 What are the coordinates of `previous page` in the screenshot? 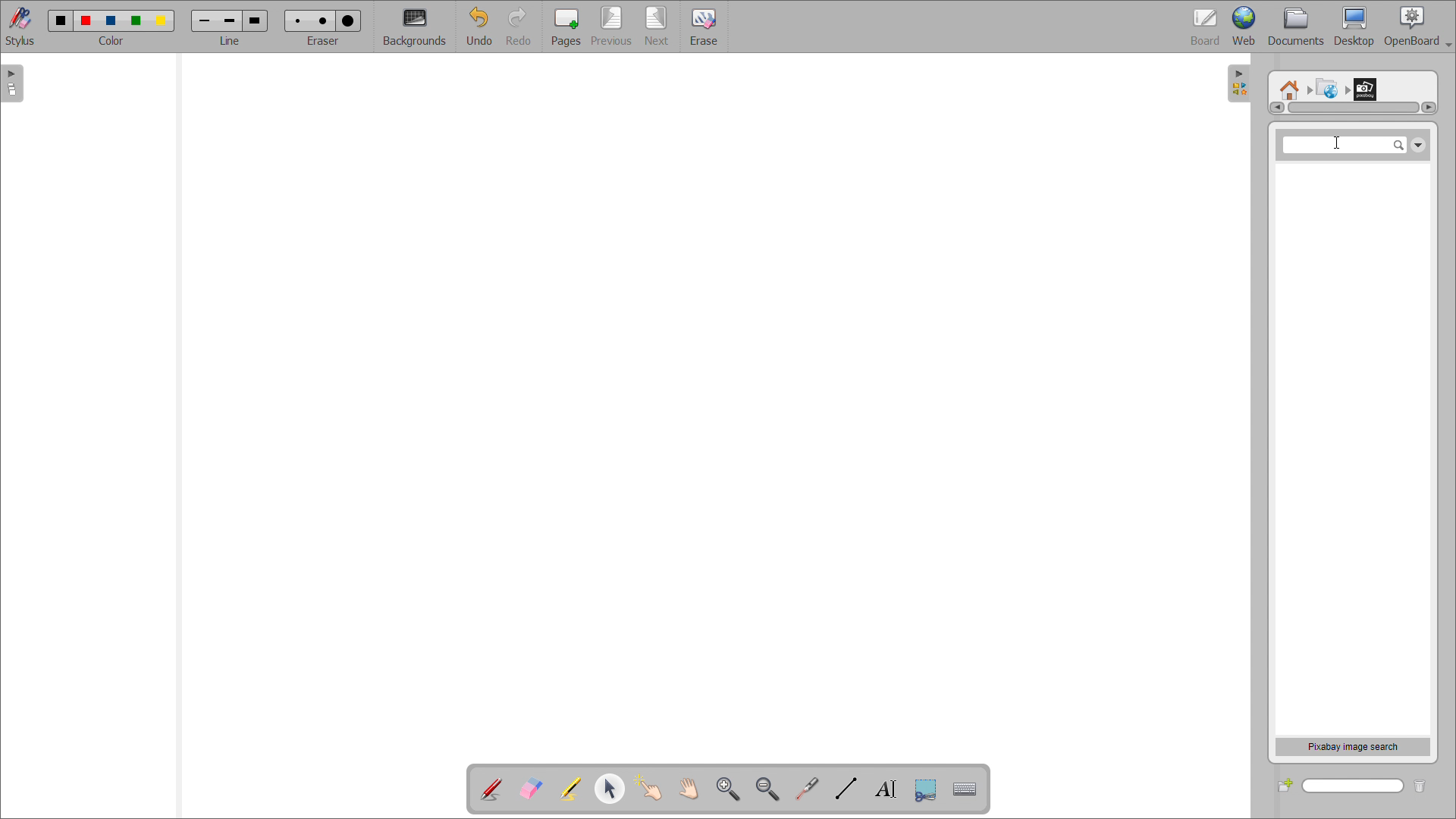 It's located at (611, 26).